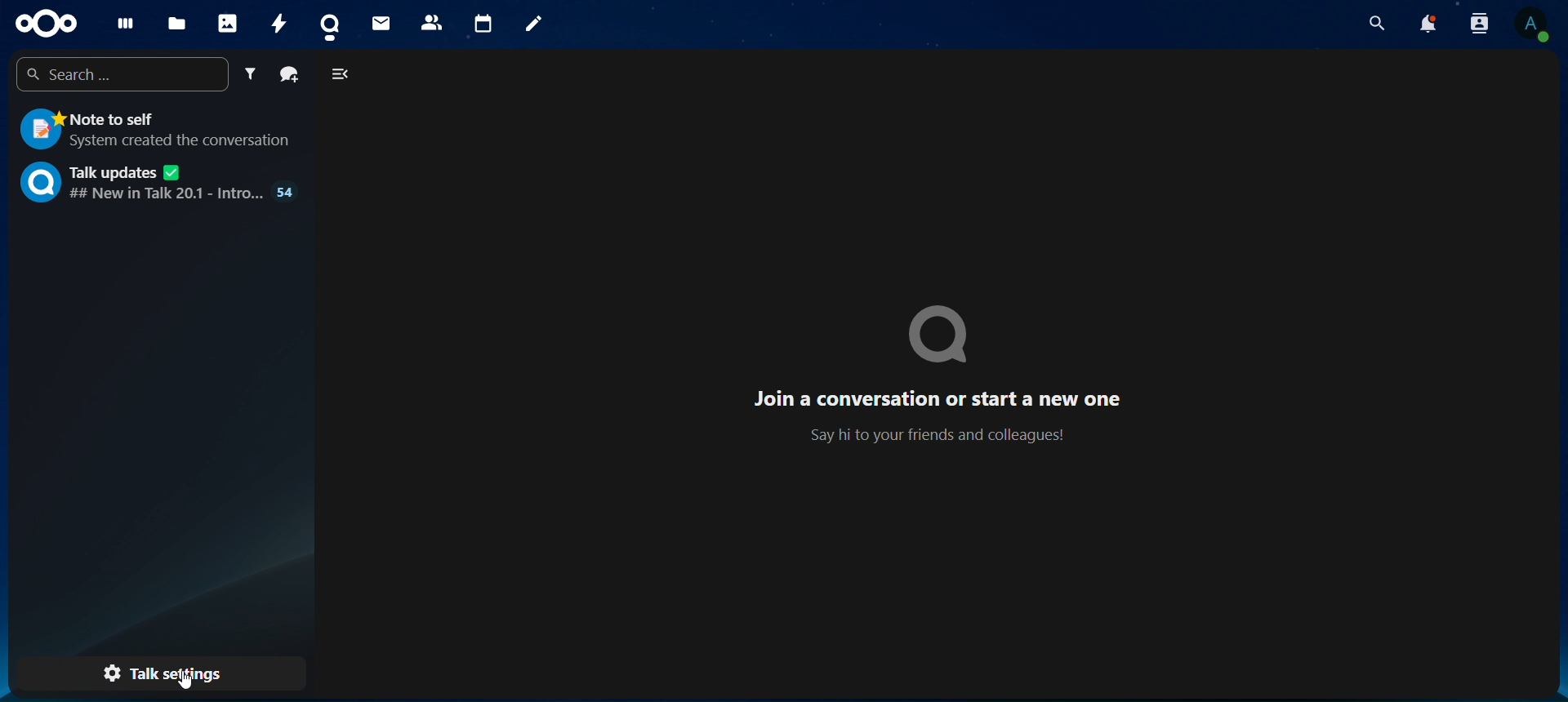  I want to click on cursor, so click(195, 681).